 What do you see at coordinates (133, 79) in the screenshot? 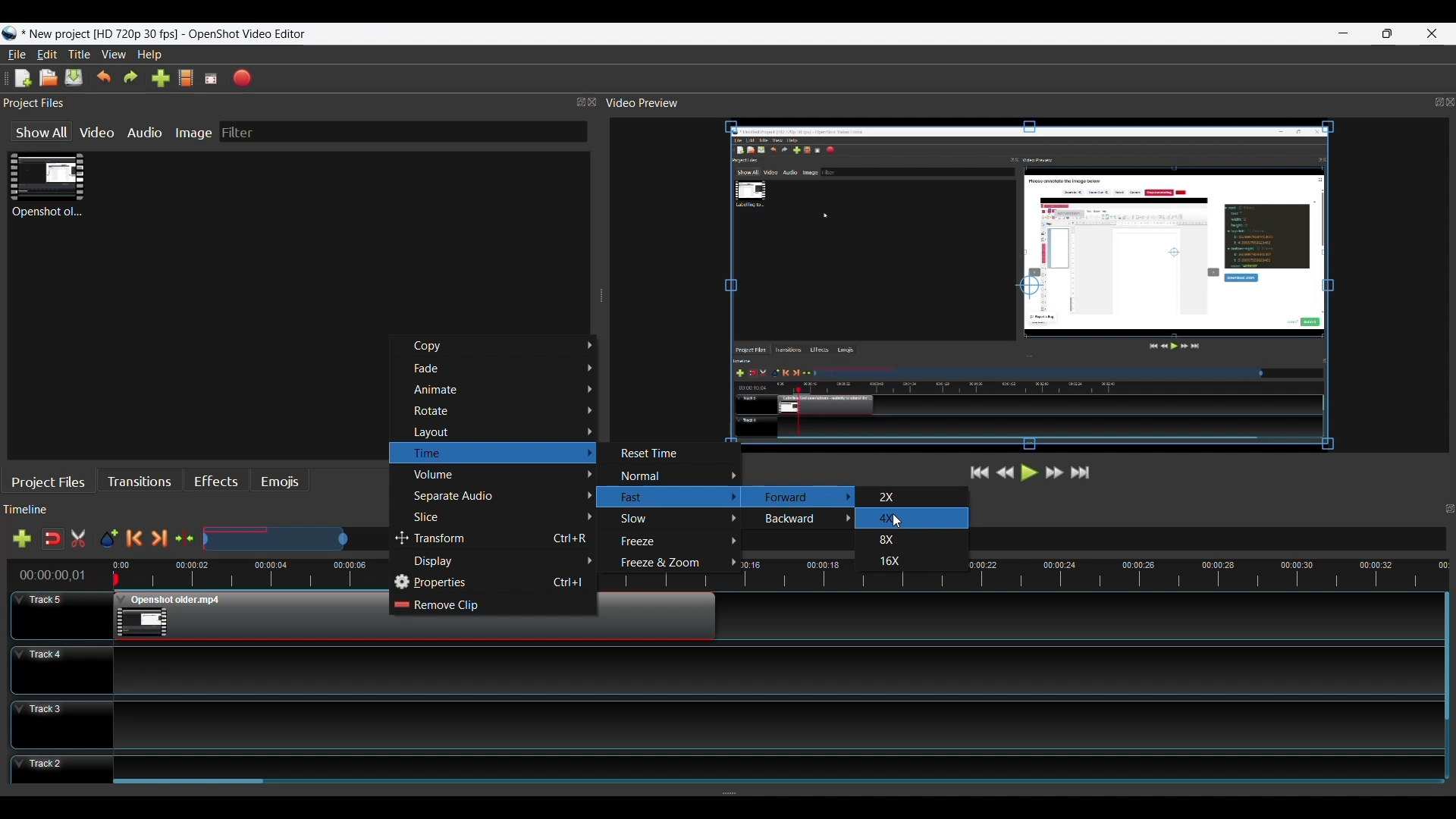
I see `Redo` at bounding box center [133, 79].